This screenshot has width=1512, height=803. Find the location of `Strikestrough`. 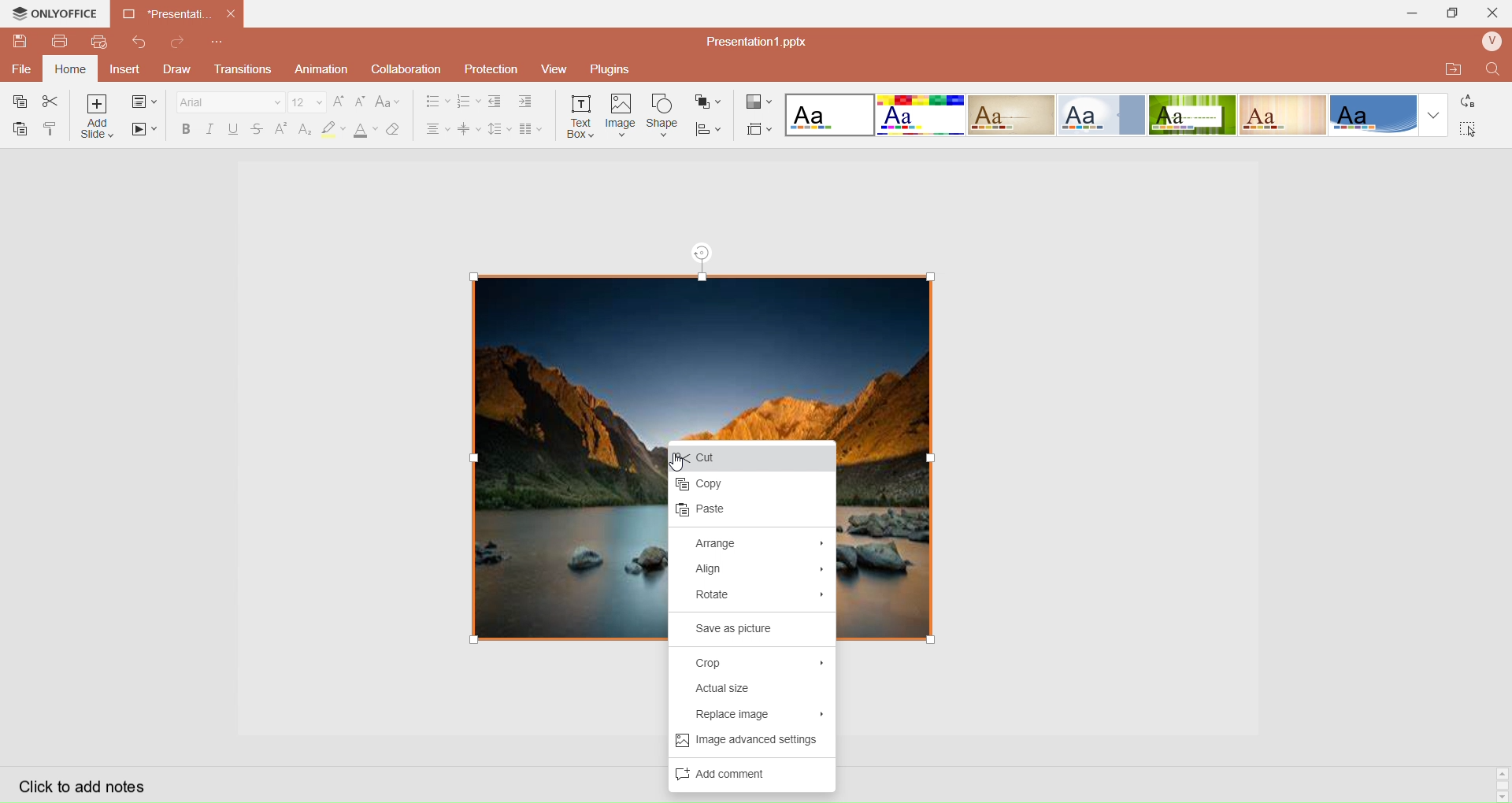

Strikestrough is located at coordinates (256, 129).